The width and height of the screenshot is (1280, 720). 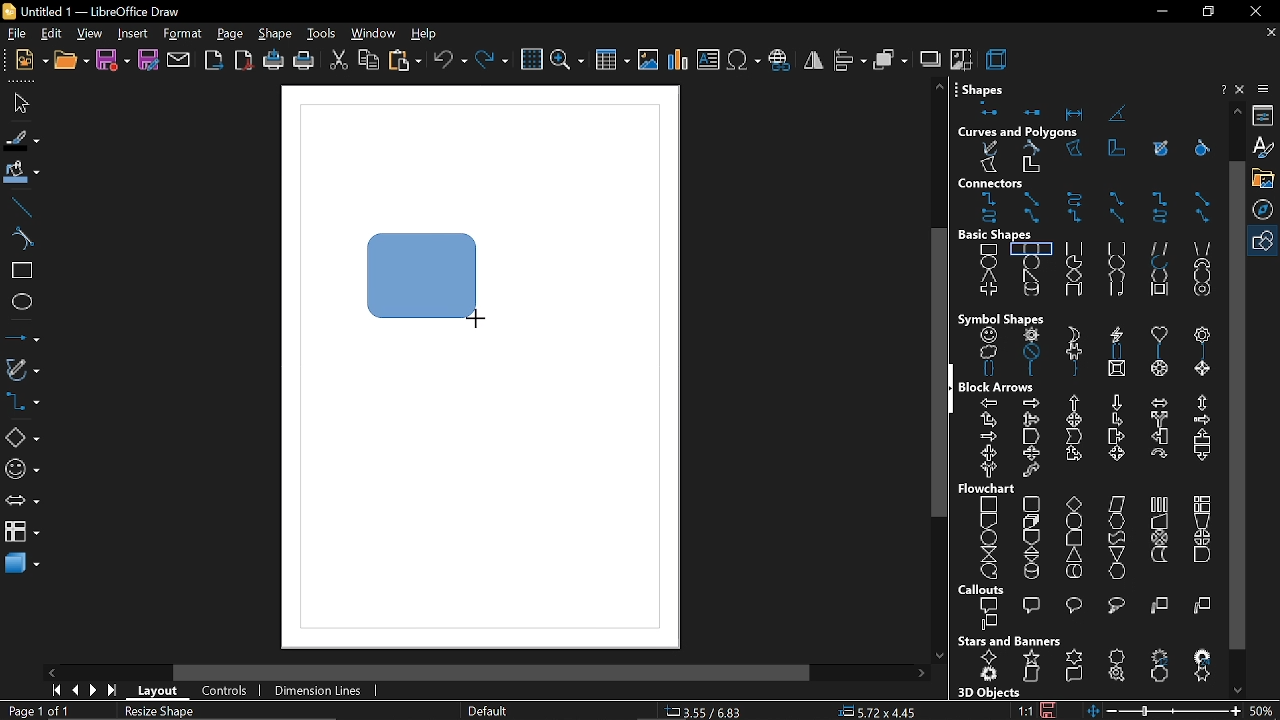 I want to click on cut, so click(x=339, y=63).